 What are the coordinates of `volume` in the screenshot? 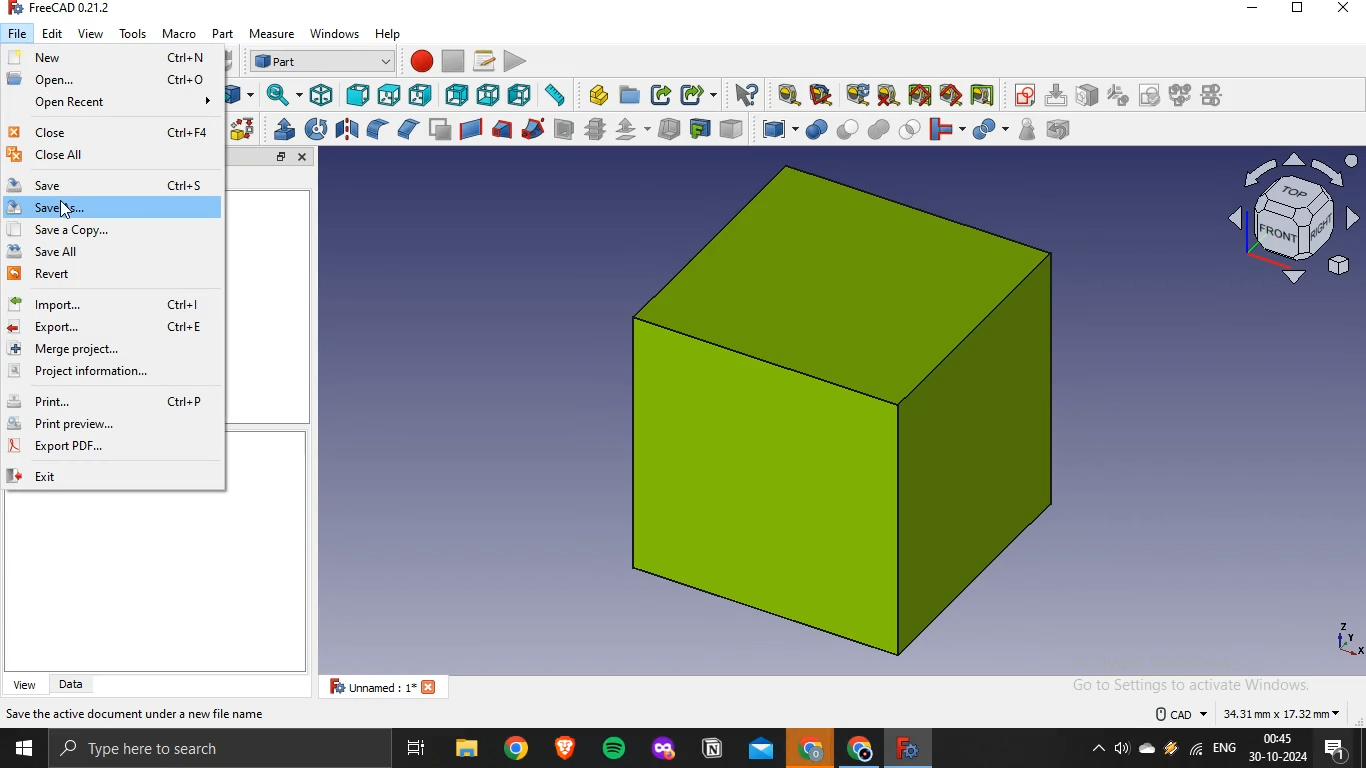 It's located at (1121, 749).